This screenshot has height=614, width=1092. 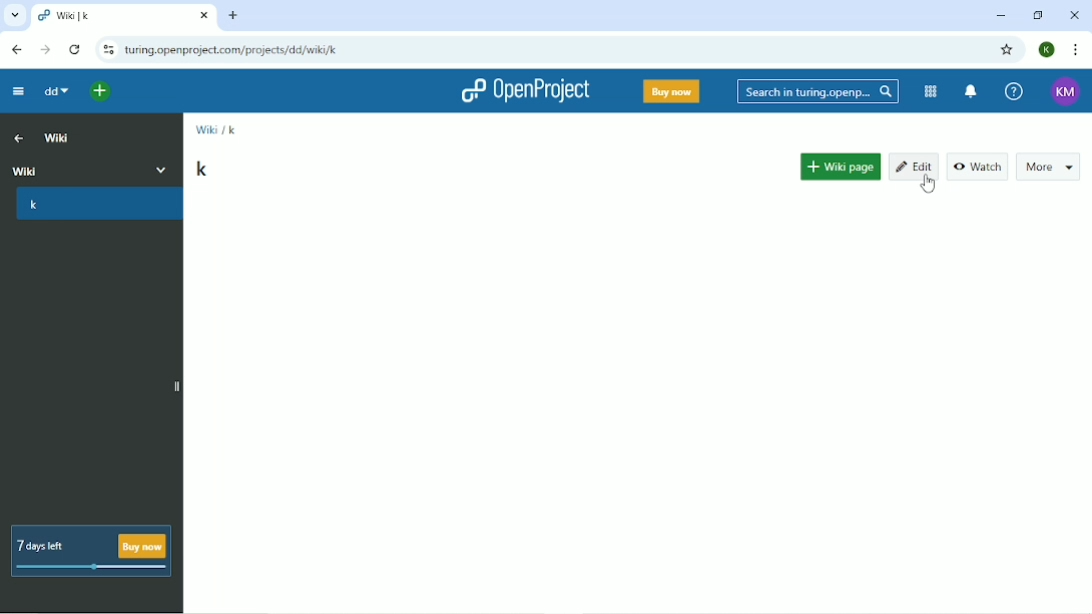 I want to click on Bookmark this tab, so click(x=1009, y=50).